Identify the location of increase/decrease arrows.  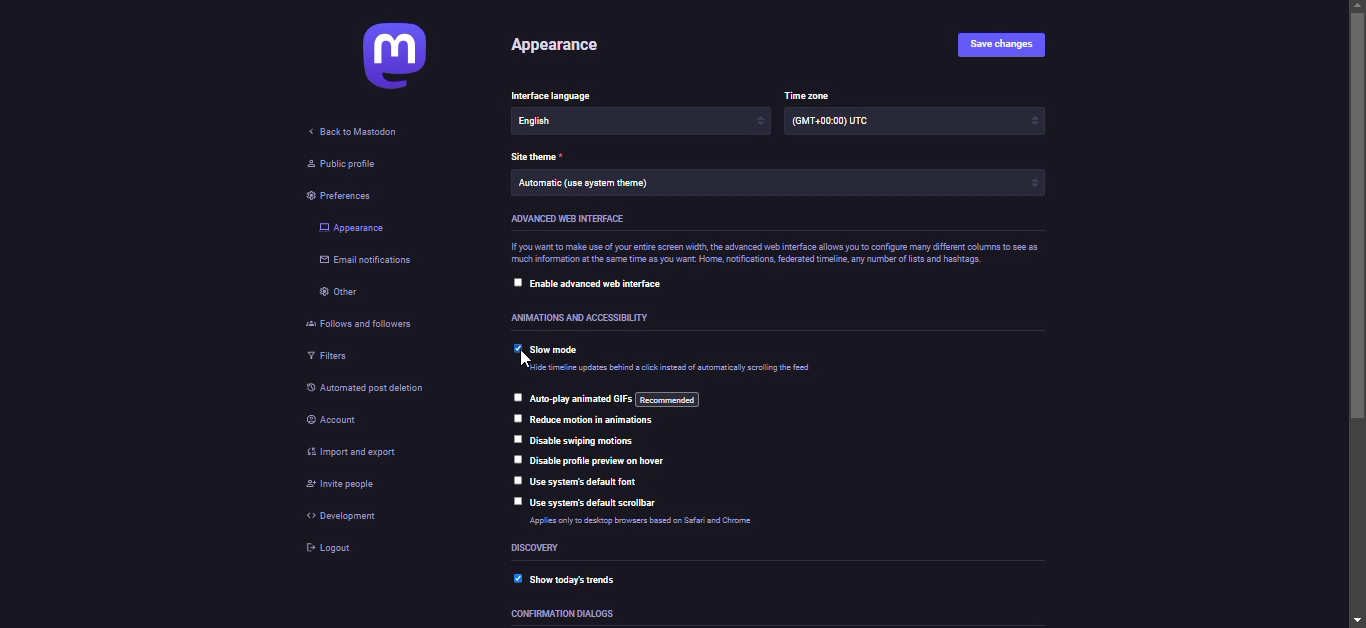
(1035, 183).